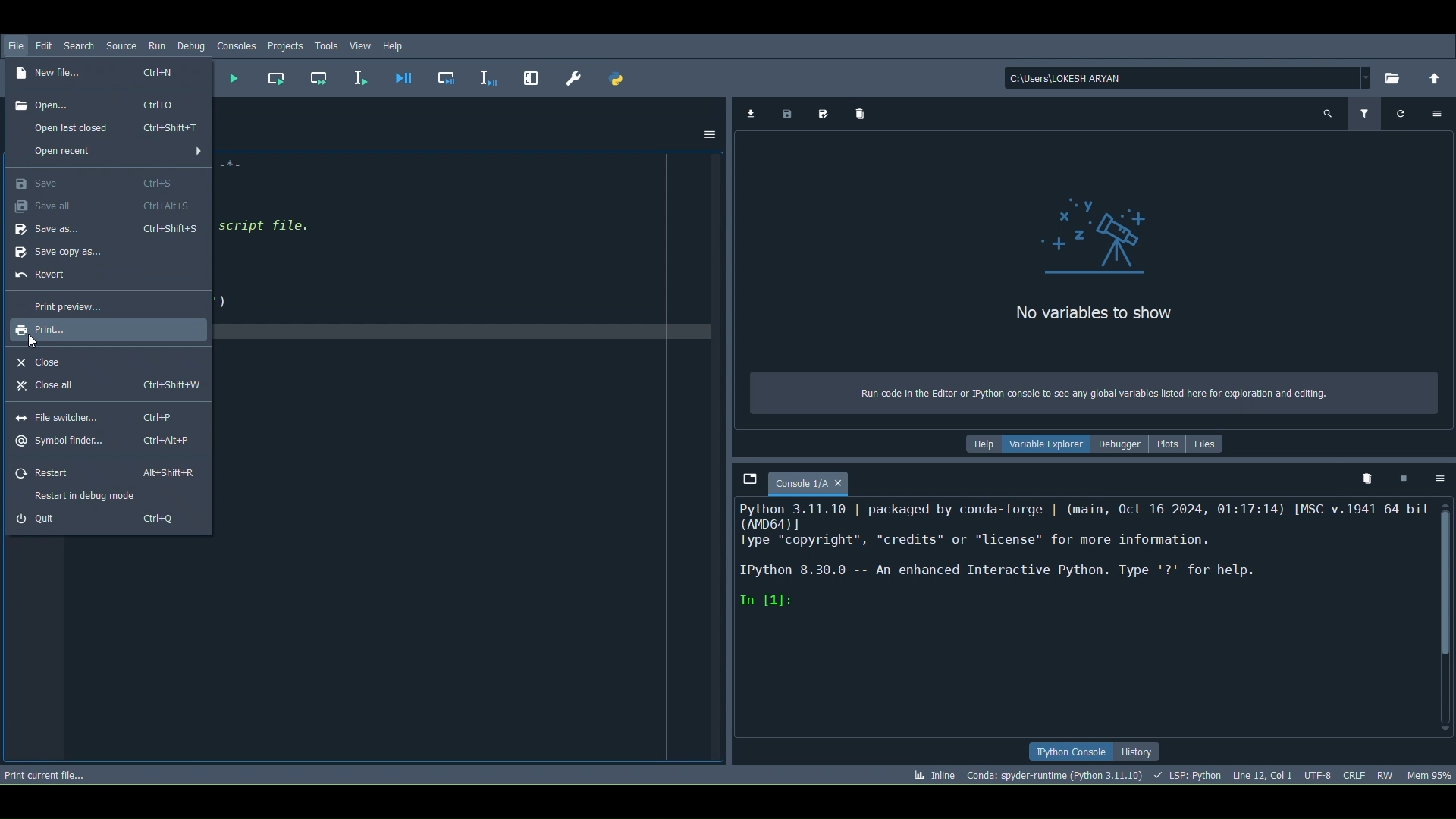 This screenshot has height=819, width=1456. What do you see at coordinates (1352, 773) in the screenshot?
I see `File EOL status` at bounding box center [1352, 773].